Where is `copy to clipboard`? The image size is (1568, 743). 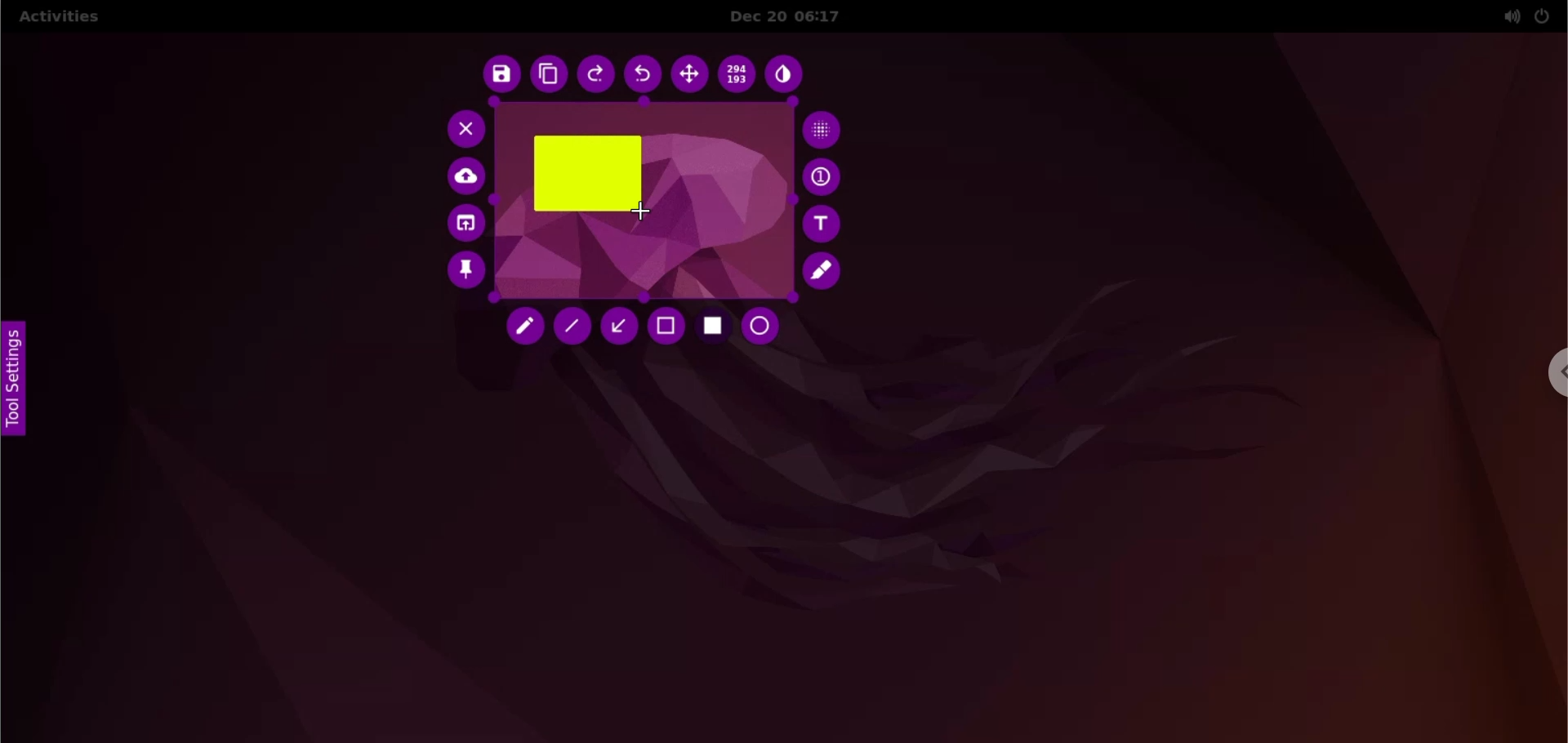
copy to clipboard is located at coordinates (548, 75).